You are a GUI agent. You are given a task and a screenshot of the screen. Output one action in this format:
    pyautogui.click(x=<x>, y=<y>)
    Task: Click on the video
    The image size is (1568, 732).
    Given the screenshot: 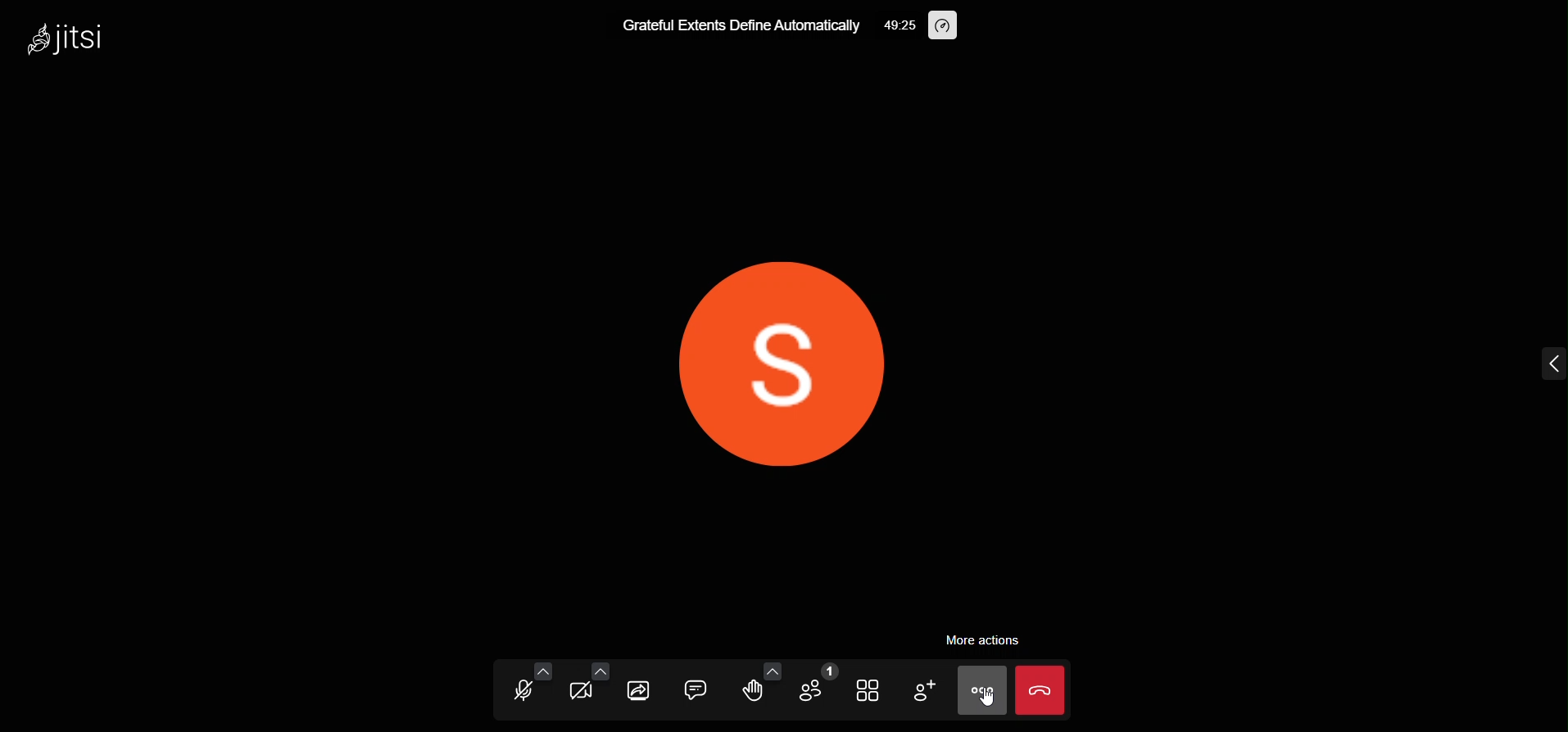 What is the action you would take?
    pyautogui.click(x=581, y=692)
    